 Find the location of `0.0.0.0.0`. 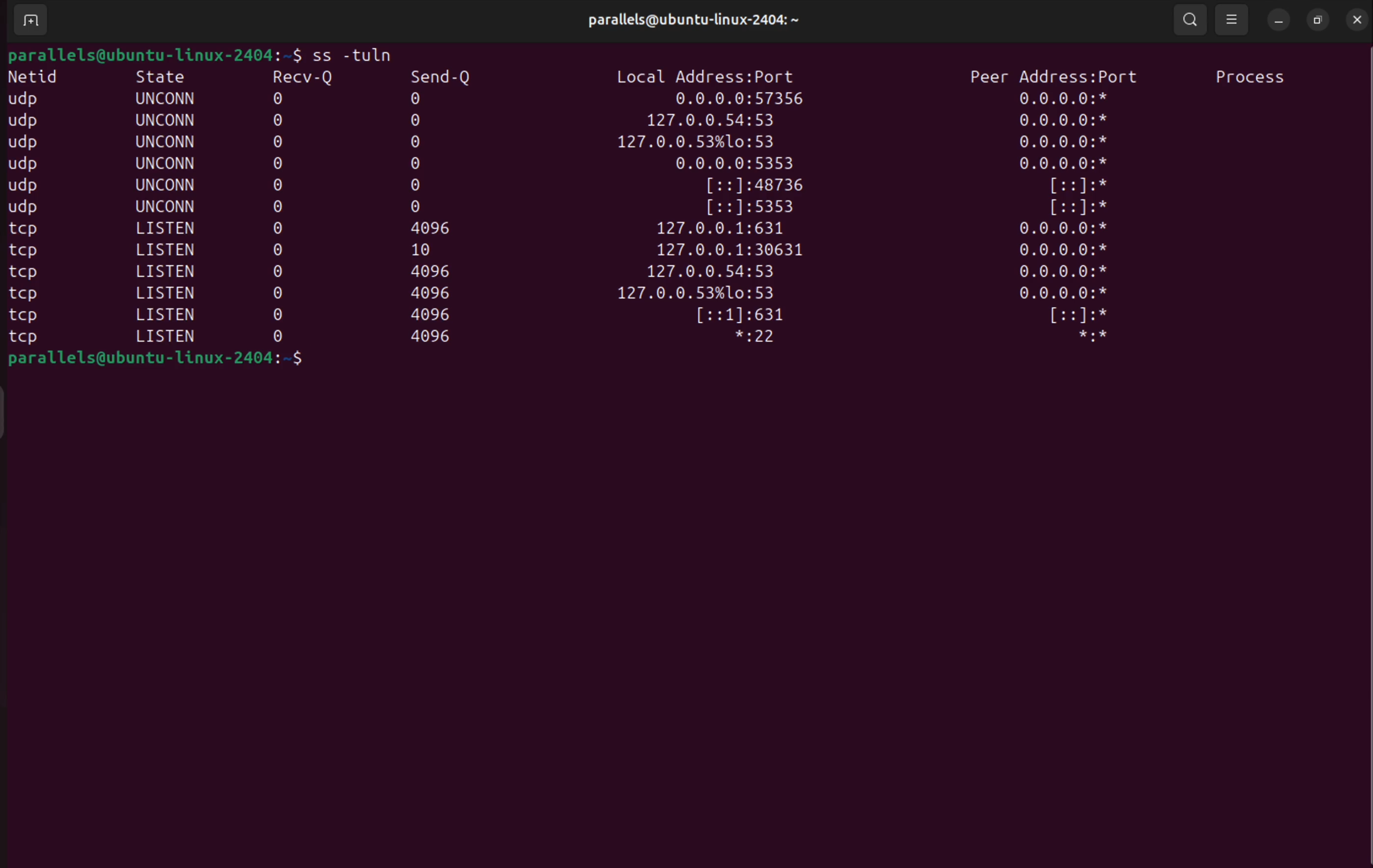

0.0.0.0.0 is located at coordinates (732, 165).